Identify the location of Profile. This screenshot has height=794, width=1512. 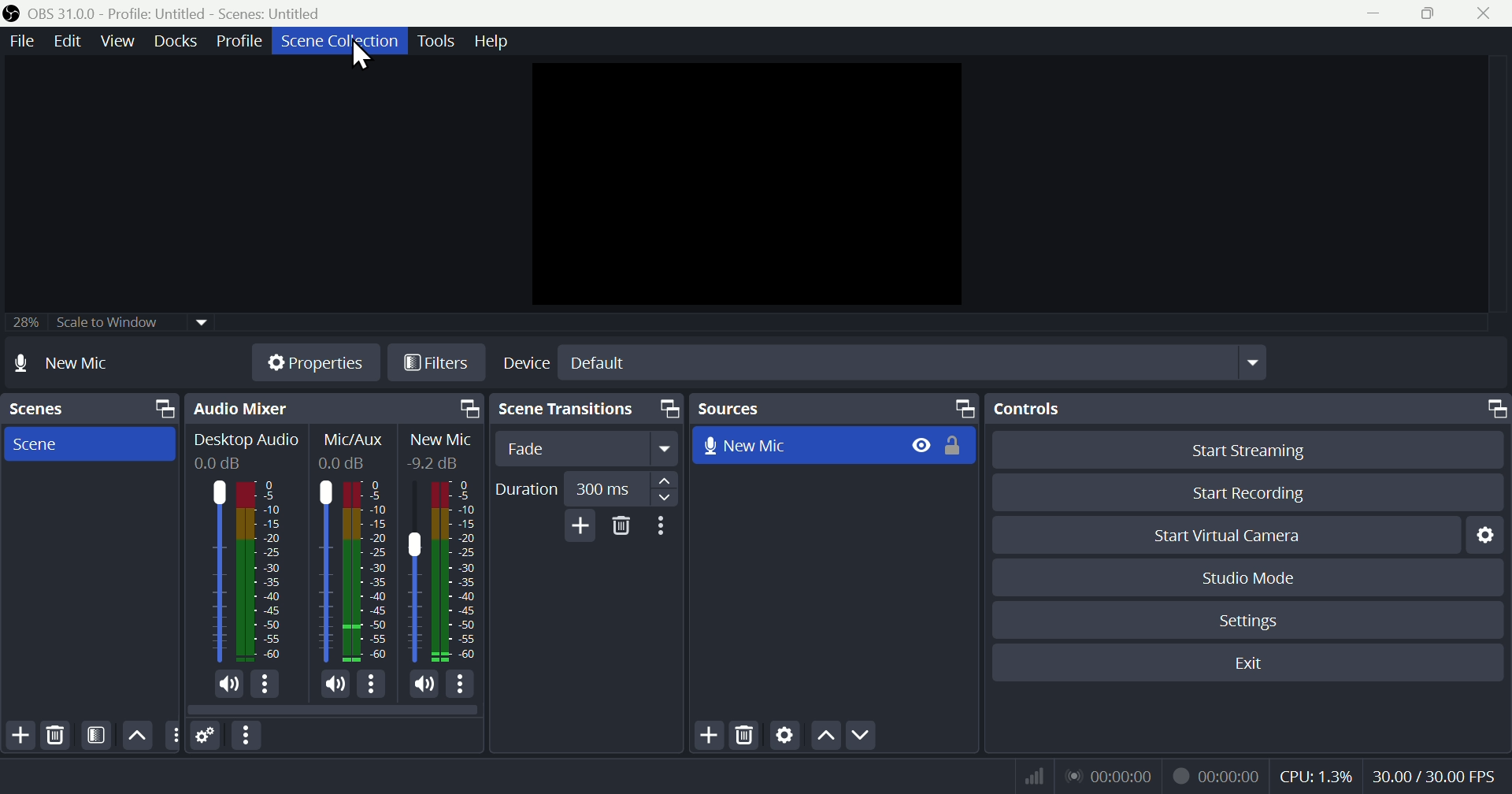
(236, 43).